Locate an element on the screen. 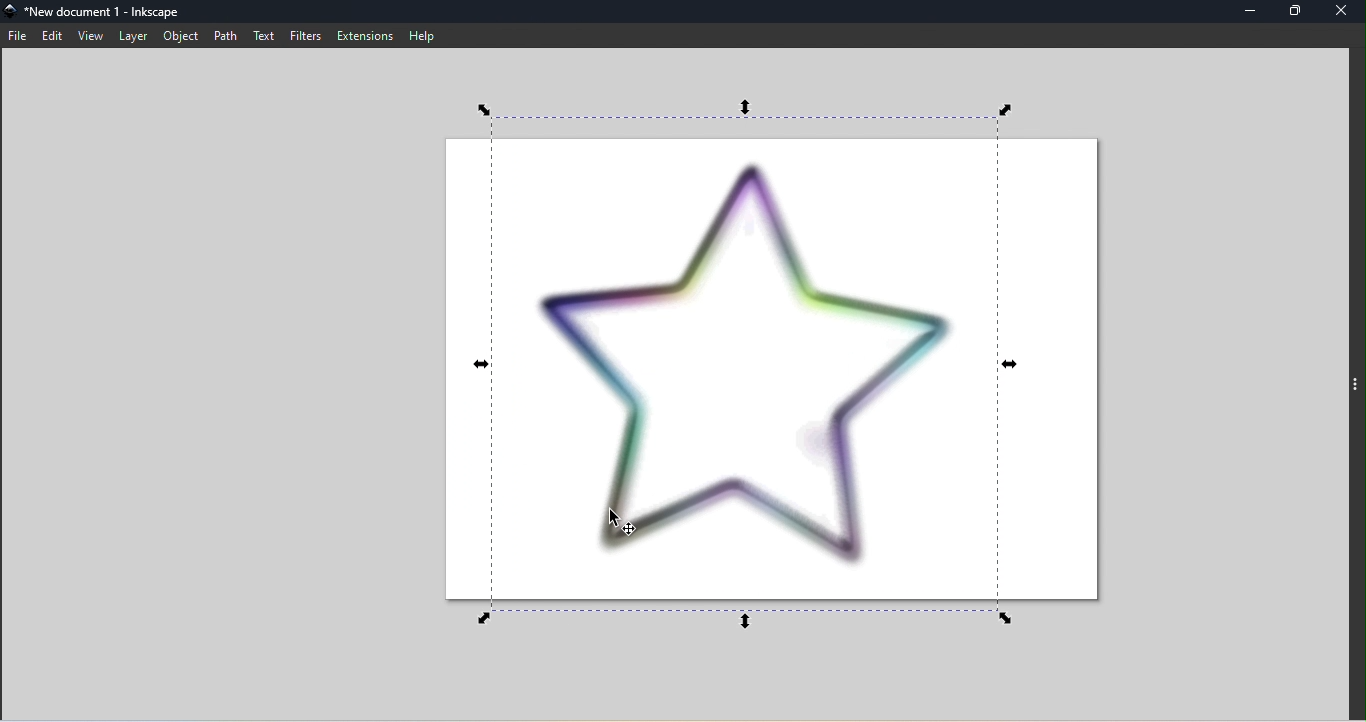  Object is located at coordinates (180, 37).